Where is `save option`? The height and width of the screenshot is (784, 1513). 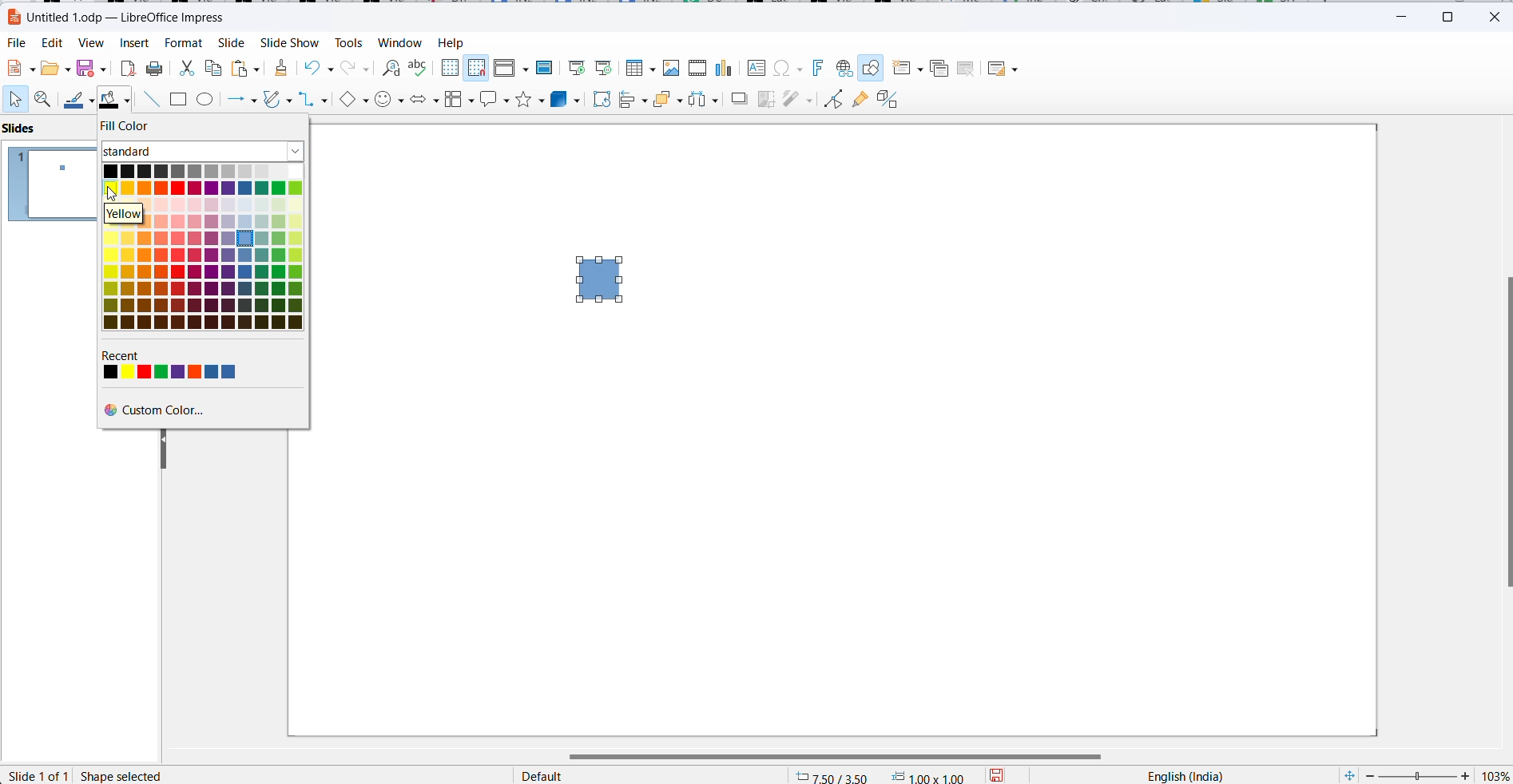 save option is located at coordinates (89, 67).